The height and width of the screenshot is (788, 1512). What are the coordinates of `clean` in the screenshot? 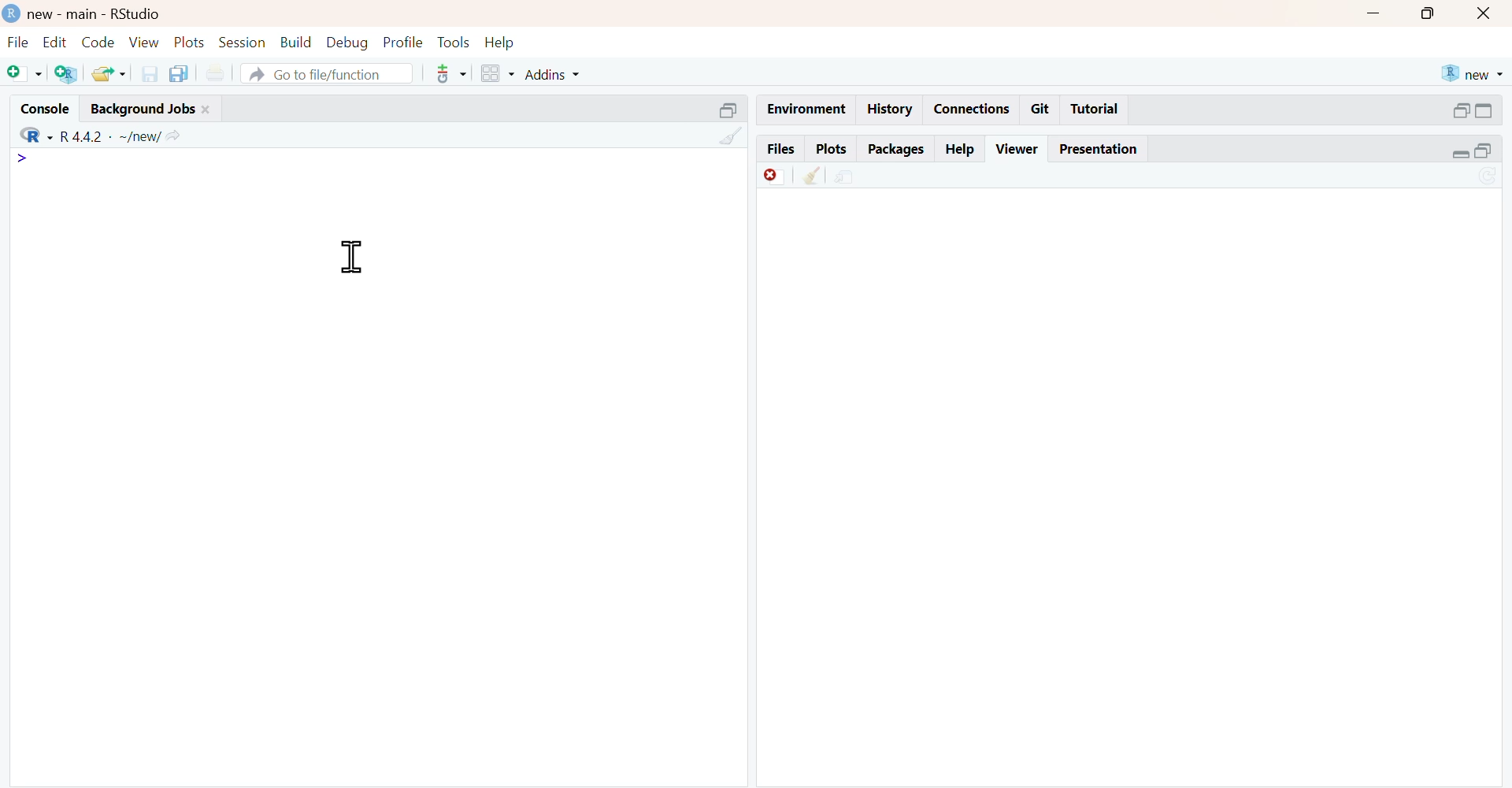 It's located at (812, 176).